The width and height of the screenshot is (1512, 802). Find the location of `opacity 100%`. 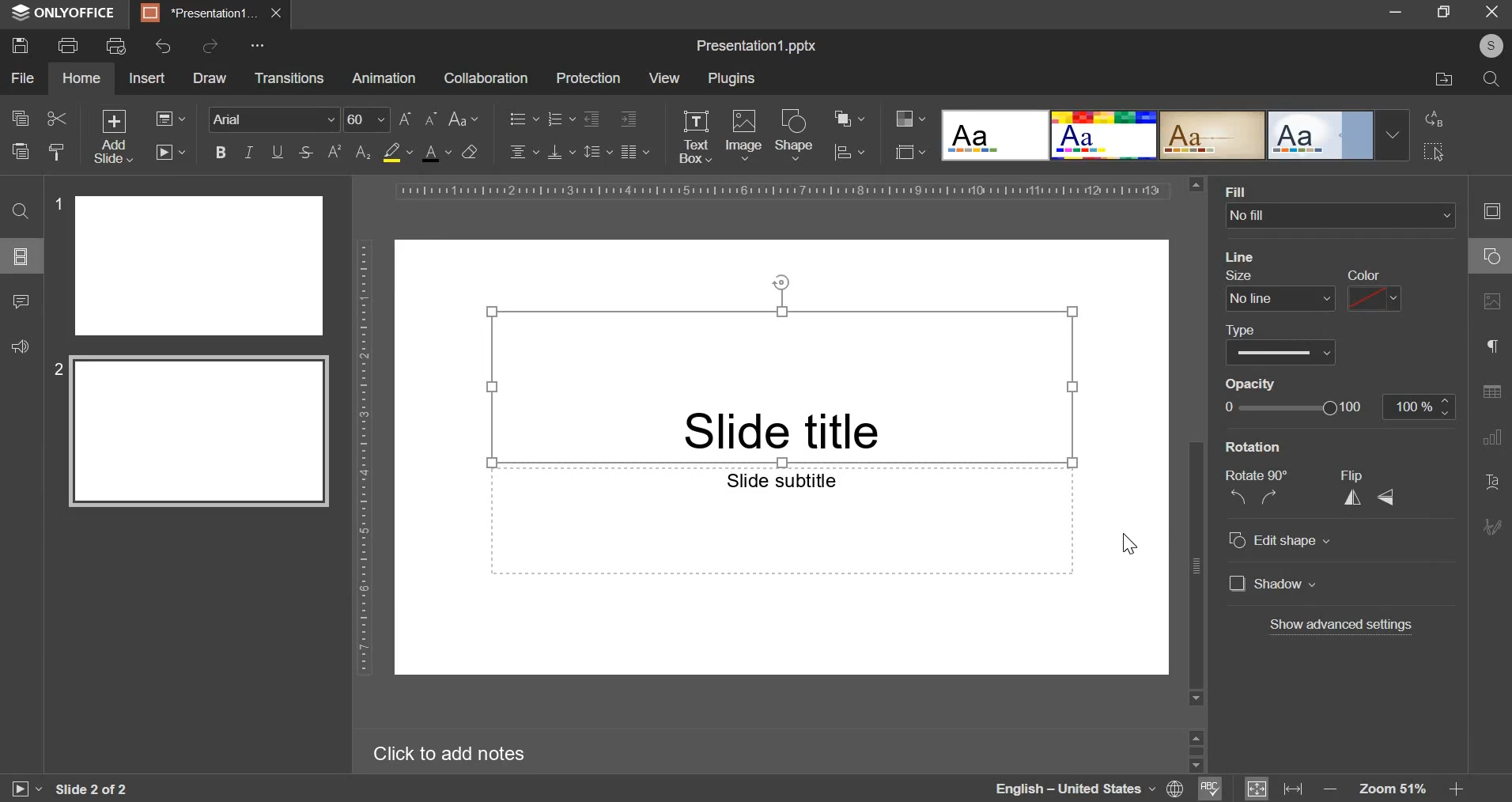

opacity 100% is located at coordinates (1421, 406).